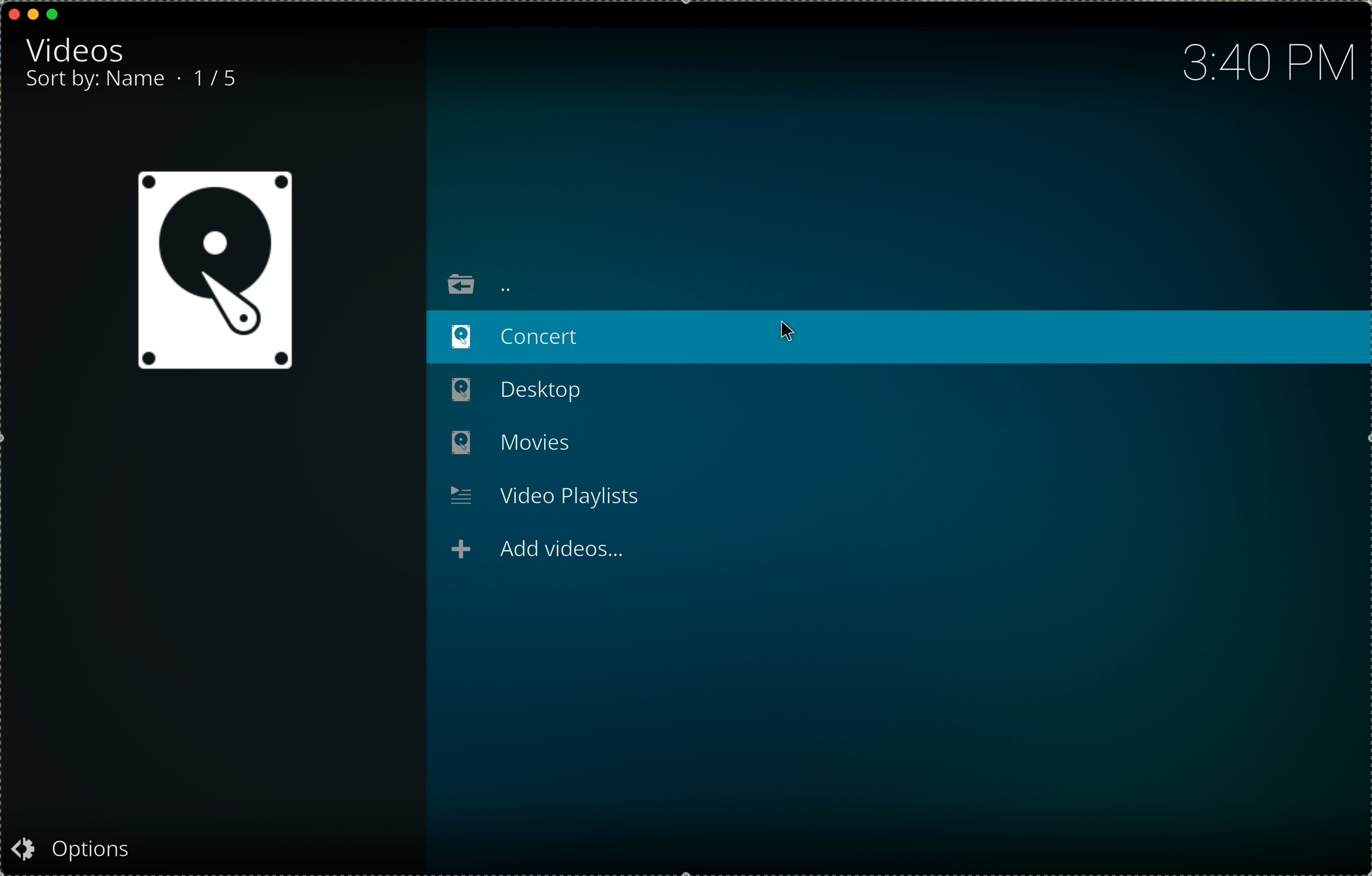  What do you see at coordinates (497, 283) in the screenshot?
I see `to top` at bounding box center [497, 283].